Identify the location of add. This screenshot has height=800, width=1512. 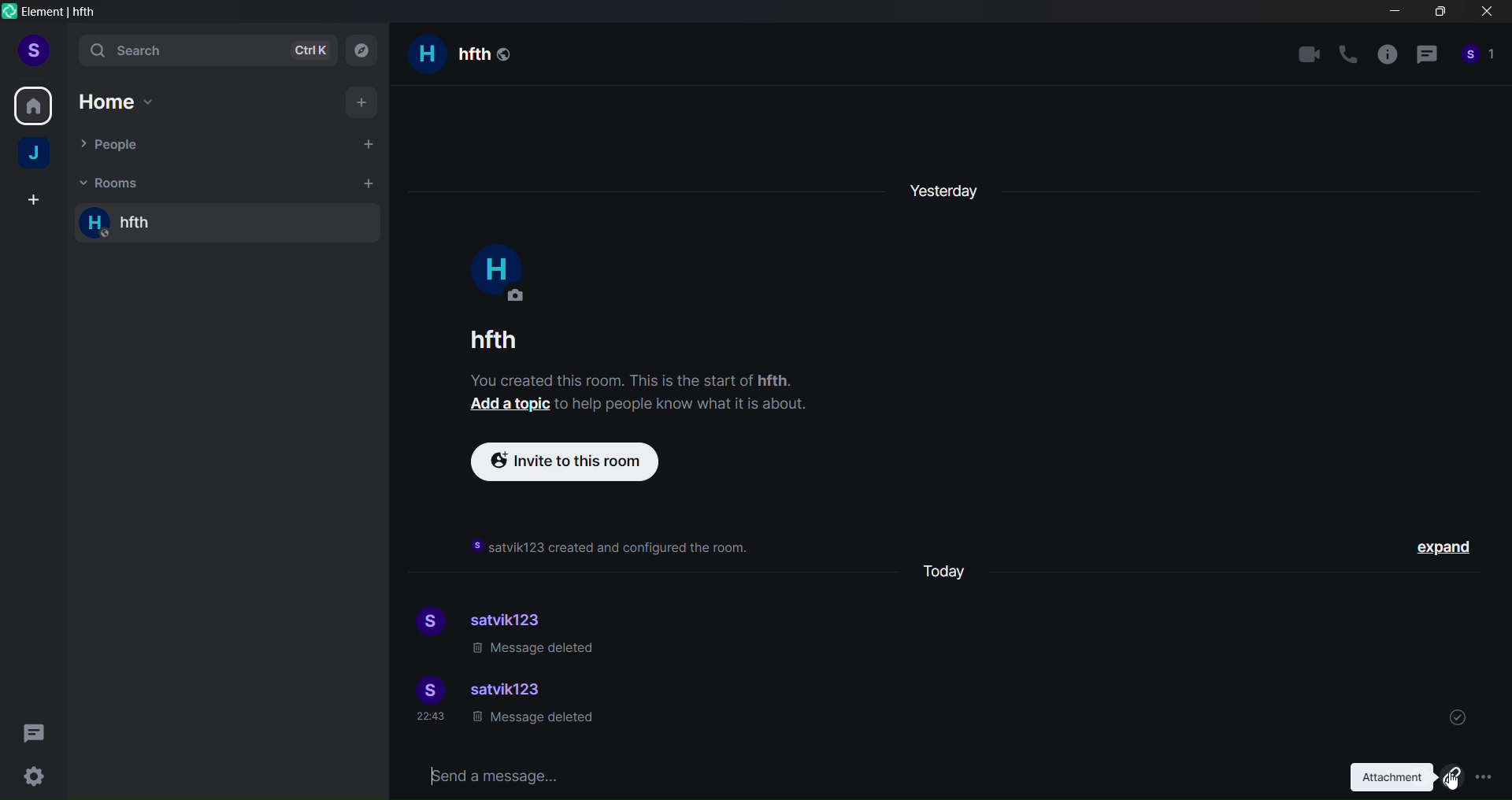
(362, 101).